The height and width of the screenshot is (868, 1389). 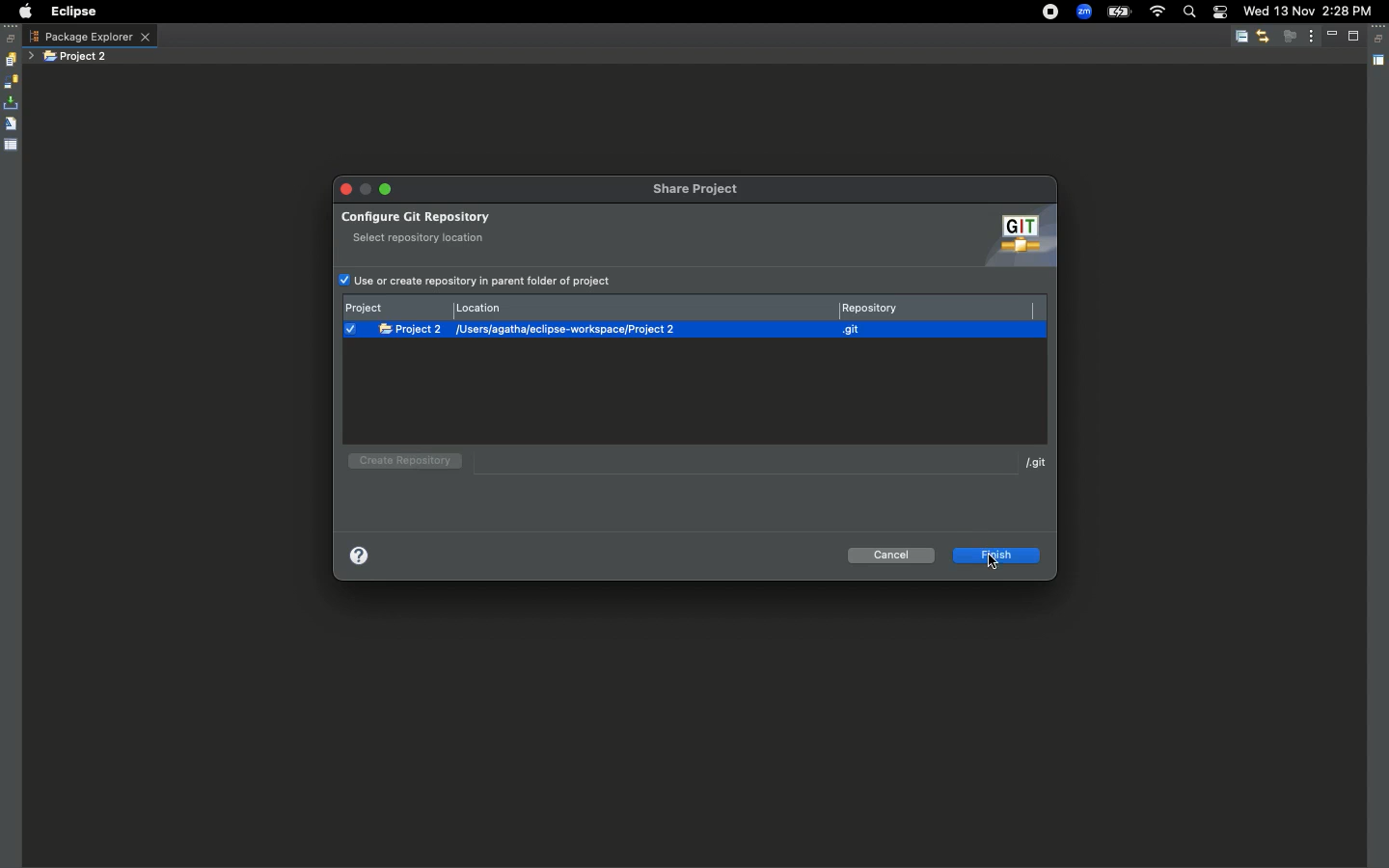 What do you see at coordinates (11, 125) in the screenshot?
I see `Git reflog` at bounding box center [11, 125].